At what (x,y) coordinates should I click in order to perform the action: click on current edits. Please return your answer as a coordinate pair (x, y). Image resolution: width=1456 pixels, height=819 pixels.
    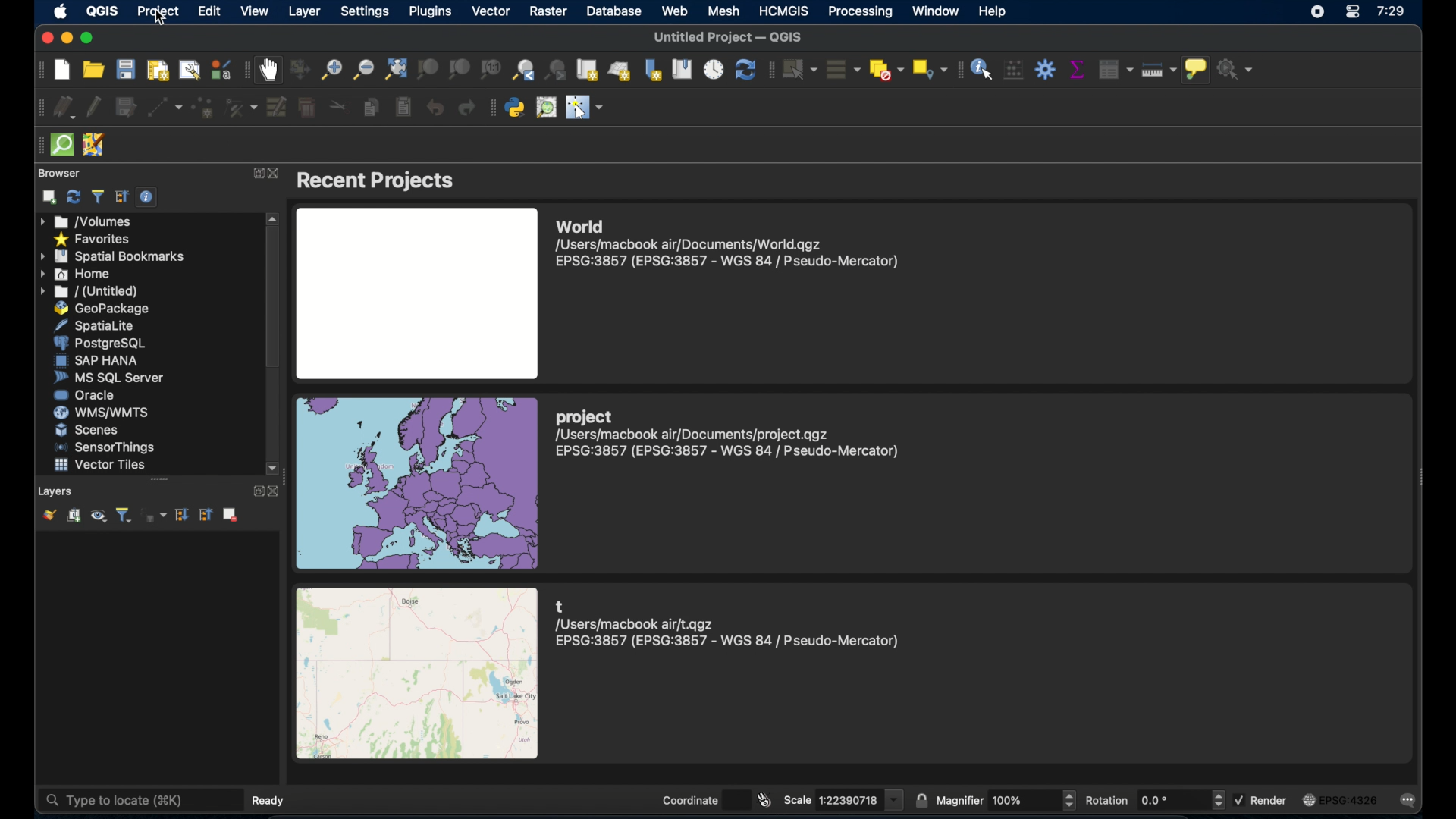
    Looking at the image, I should click on (66, 108).